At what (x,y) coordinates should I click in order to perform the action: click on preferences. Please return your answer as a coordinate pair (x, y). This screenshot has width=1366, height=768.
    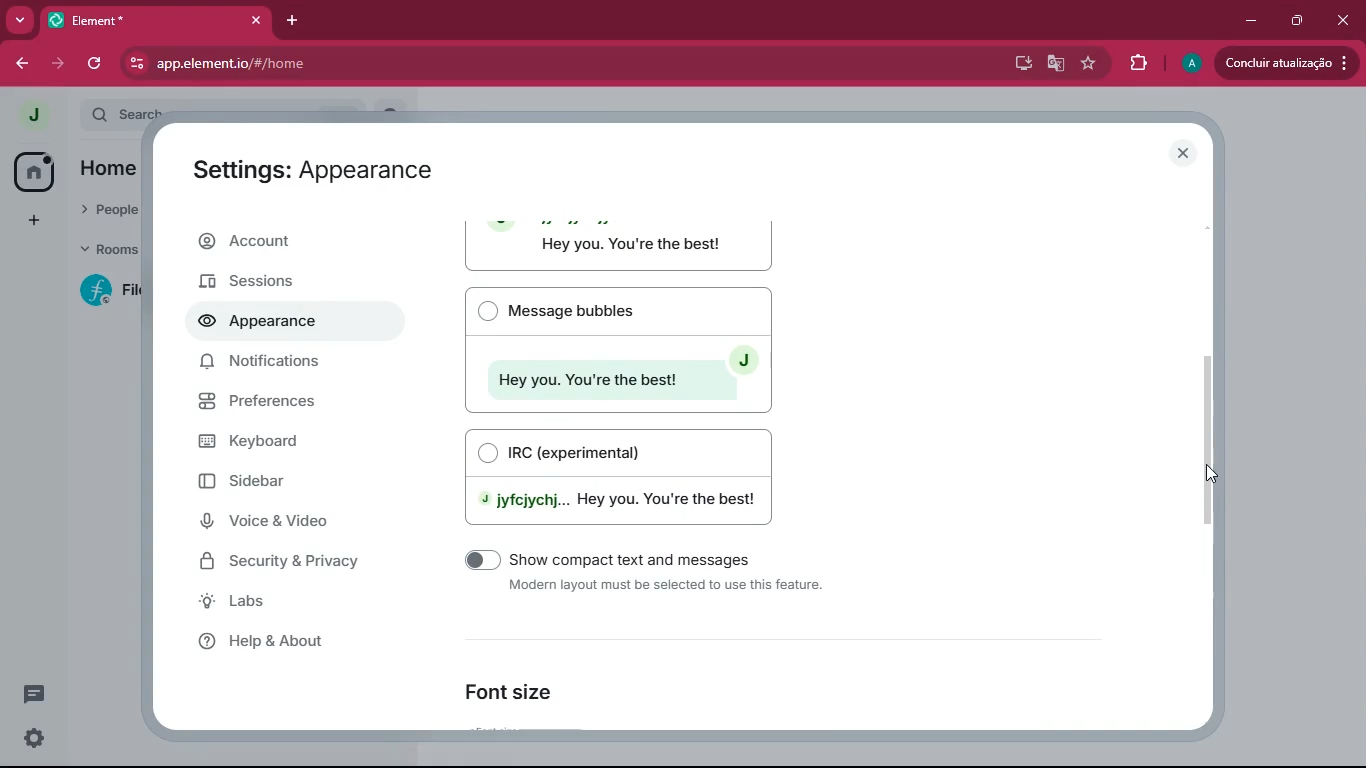
    Looking at the image, I should click on (285, 403).